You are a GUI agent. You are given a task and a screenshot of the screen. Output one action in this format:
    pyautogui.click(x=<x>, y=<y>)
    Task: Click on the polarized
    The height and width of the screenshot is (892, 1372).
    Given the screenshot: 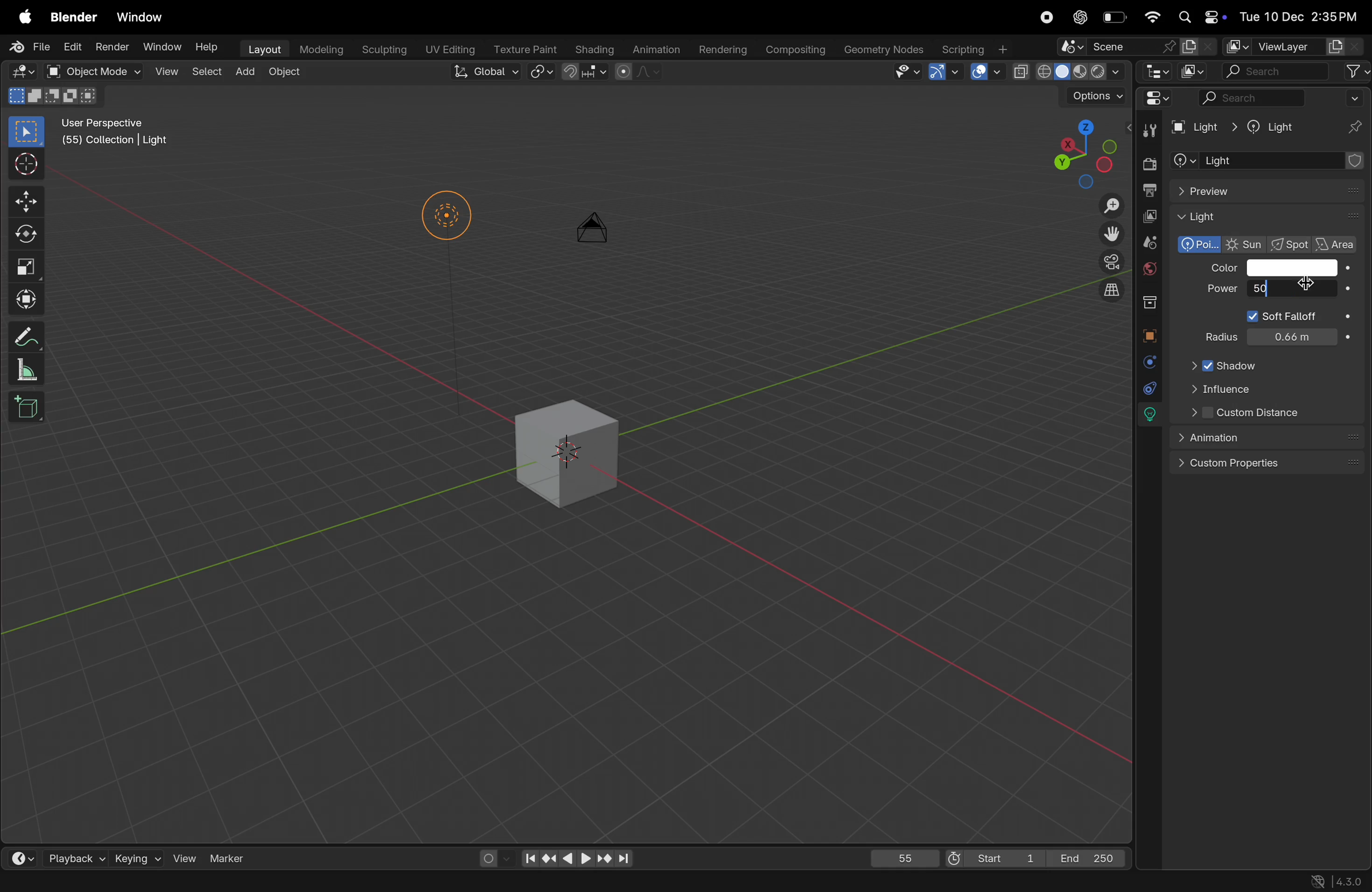 What is the action you would take?
    pyautogui.click(x=1198, y=245)
    